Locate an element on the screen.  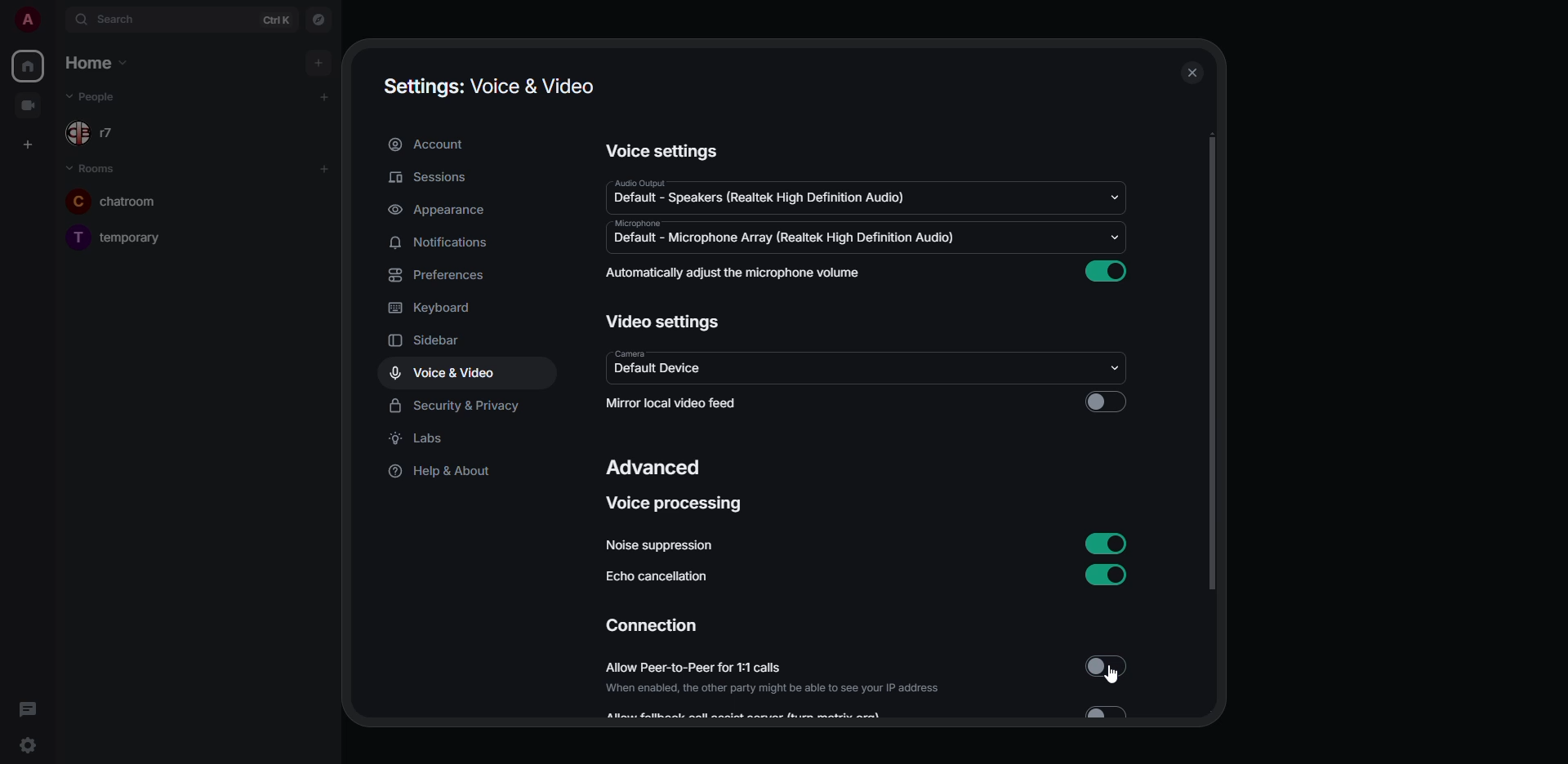
rooms is located at coordinates (95, 167).